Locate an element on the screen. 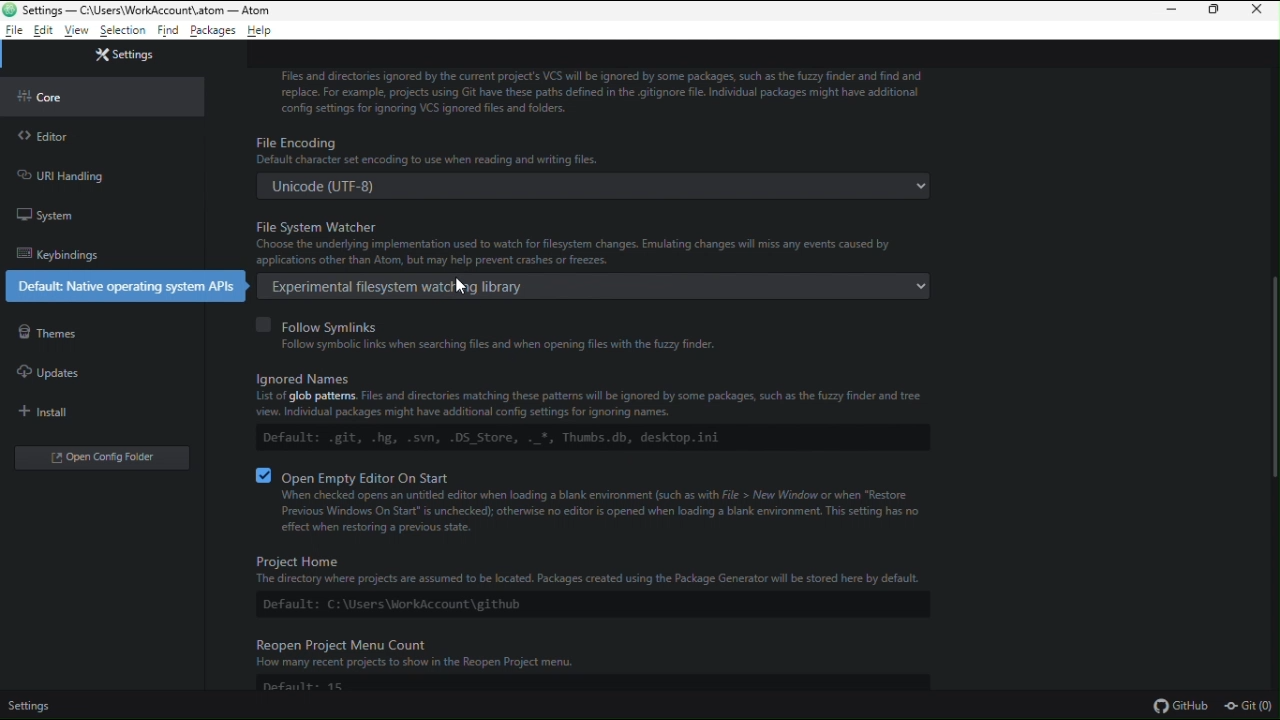  File is located at coordinates (14, 31).